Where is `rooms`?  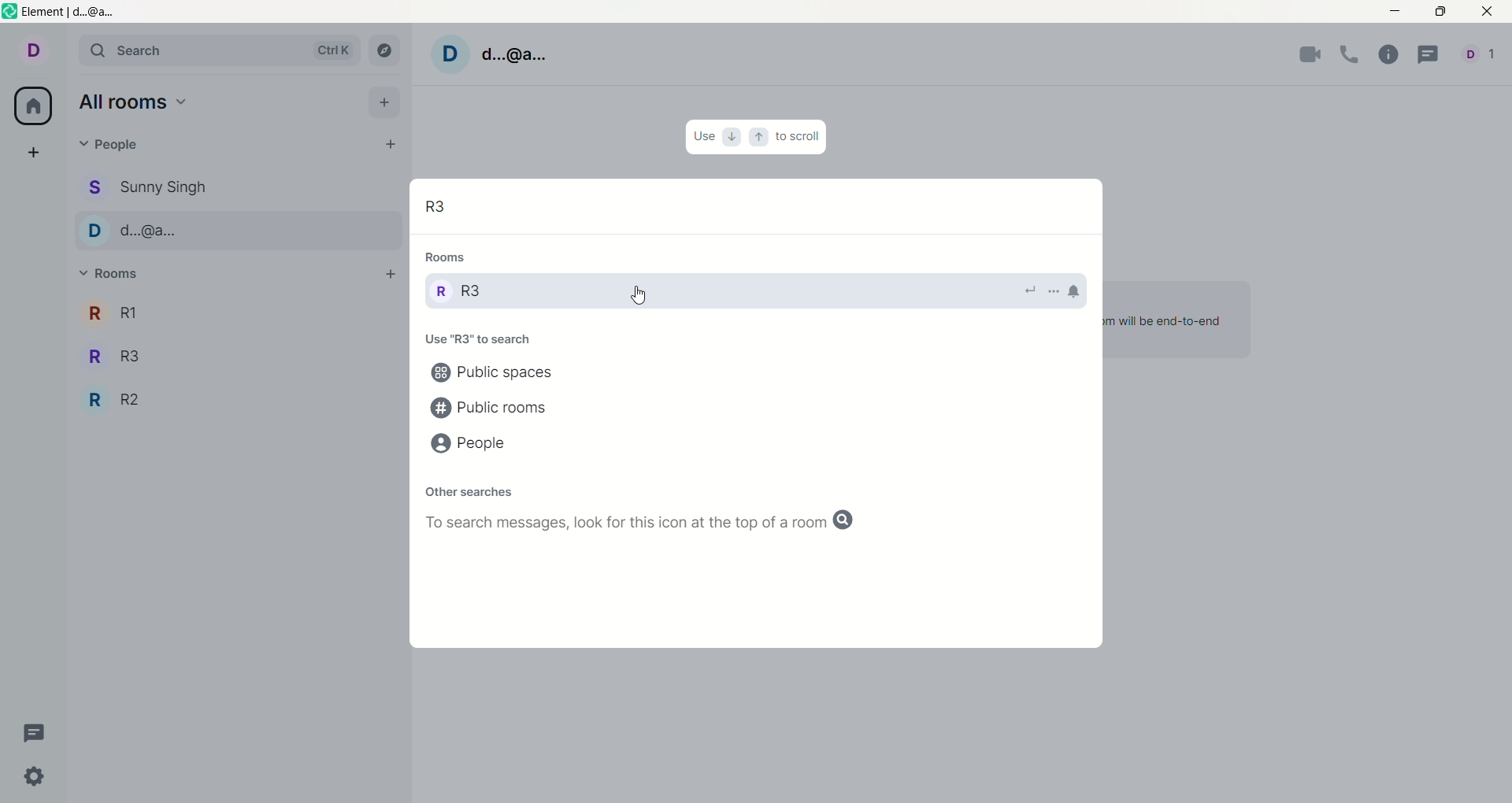 rooms is located at coordinates (109, 269).